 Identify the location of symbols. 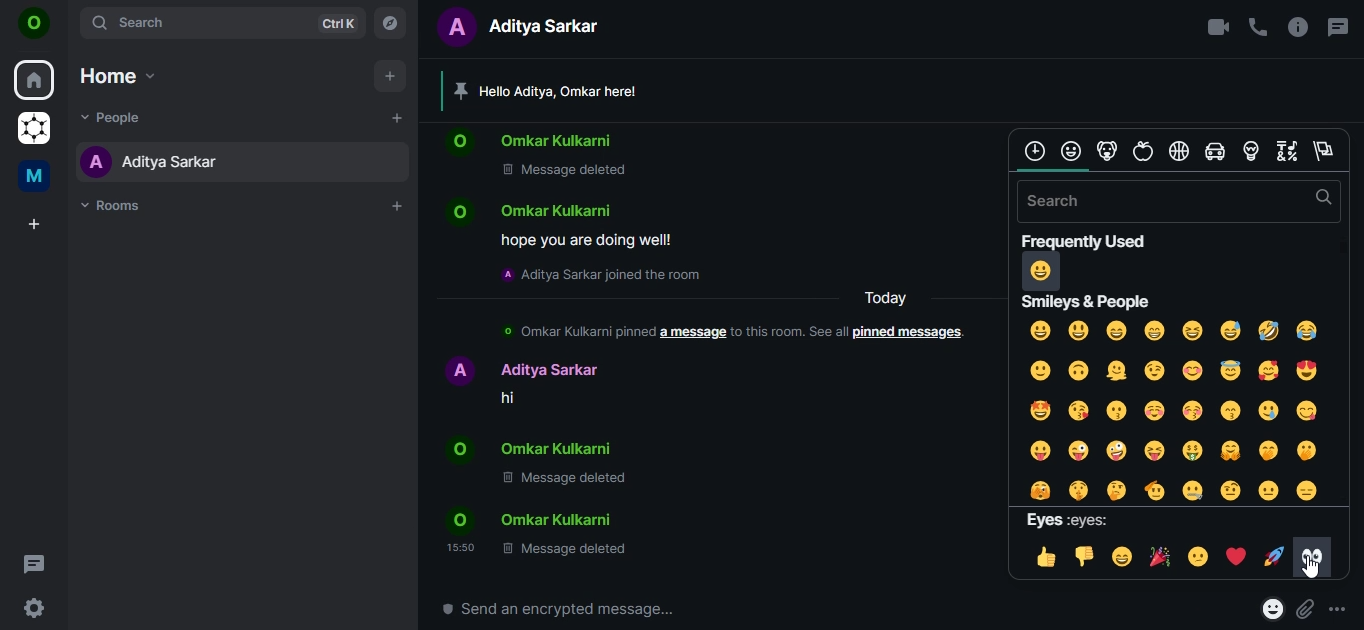
(1285, 152).